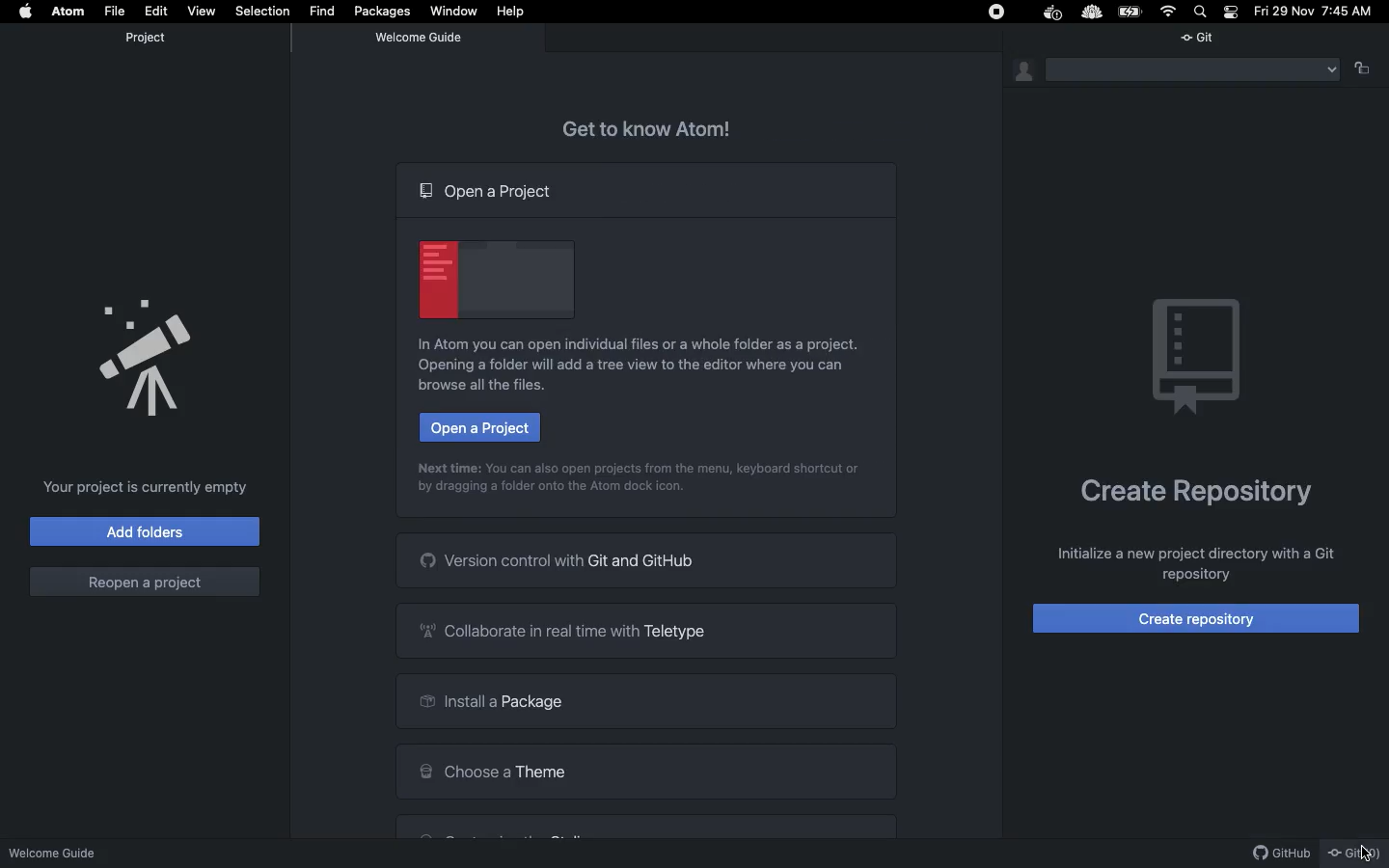 The width and height of the screenshot is (1389, 868). I want to click on Project, so click(146, 38).